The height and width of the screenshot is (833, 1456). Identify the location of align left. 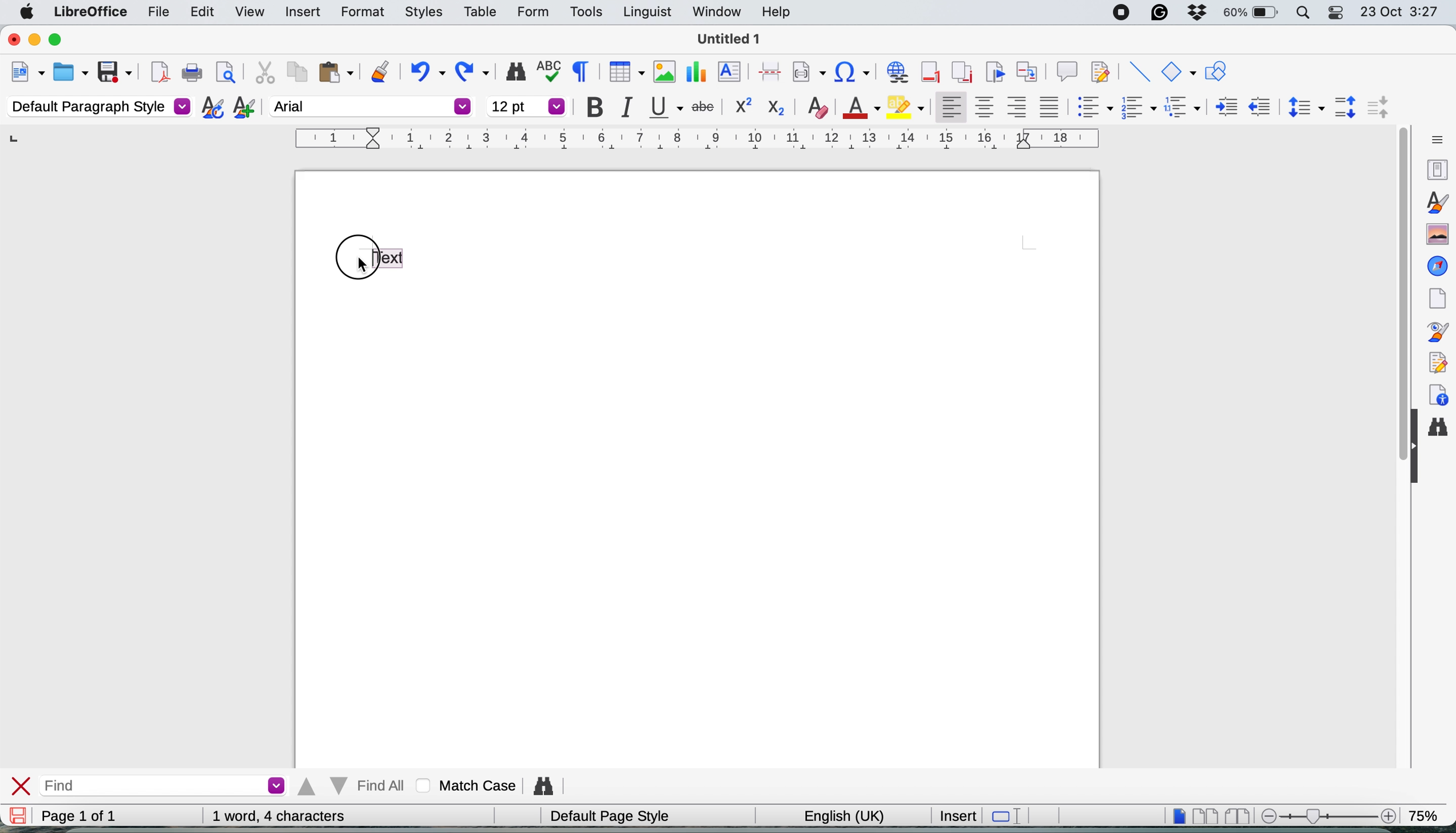
(948, 108).